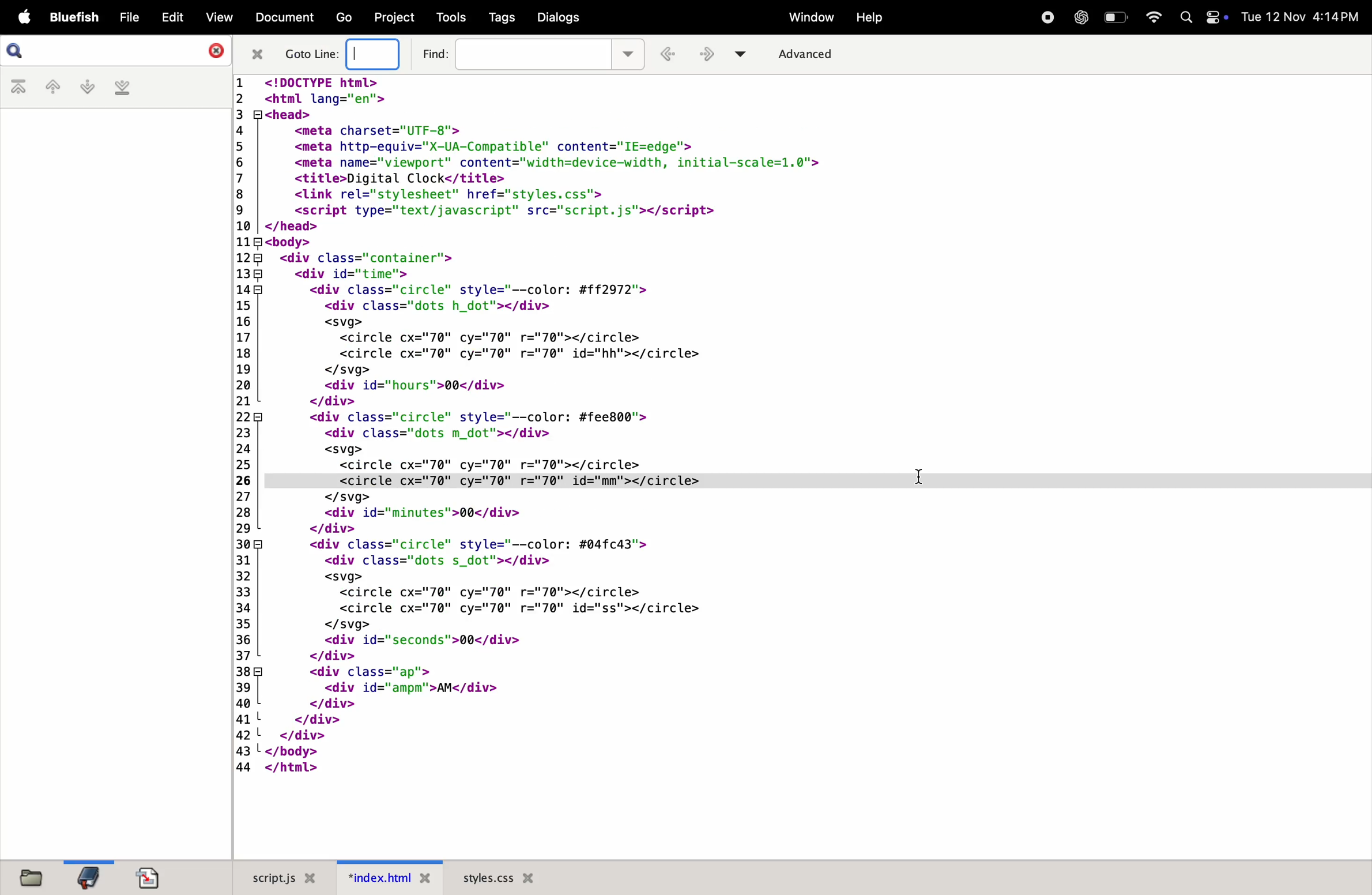 The image size is (1372, 895). I want to click on search, so click(17, 51).